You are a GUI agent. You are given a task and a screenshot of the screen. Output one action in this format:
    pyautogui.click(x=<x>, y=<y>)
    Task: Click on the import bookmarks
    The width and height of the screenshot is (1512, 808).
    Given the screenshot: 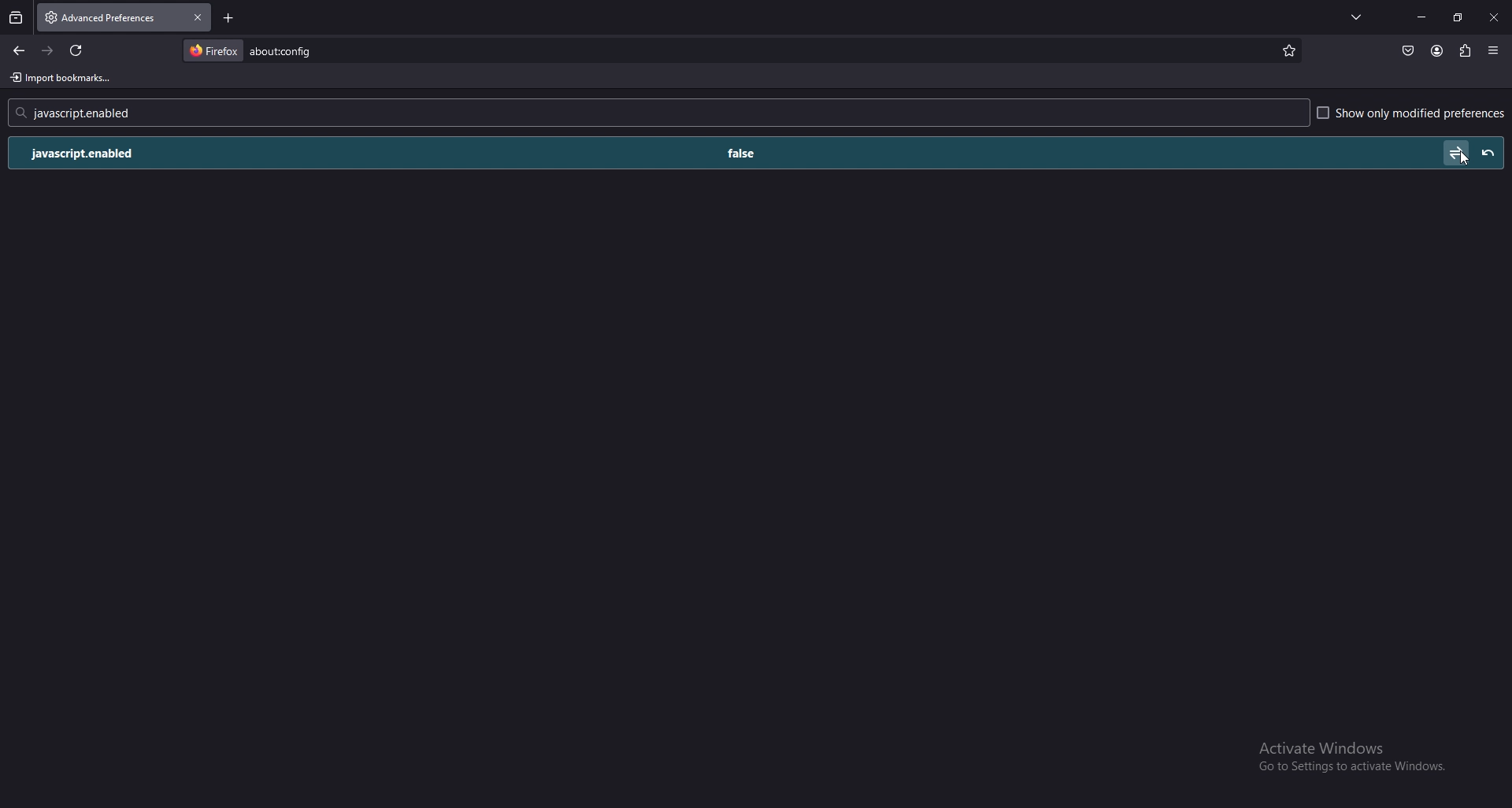 What is the action you would take?
    pyautogui.click(x=65, y=78)
    